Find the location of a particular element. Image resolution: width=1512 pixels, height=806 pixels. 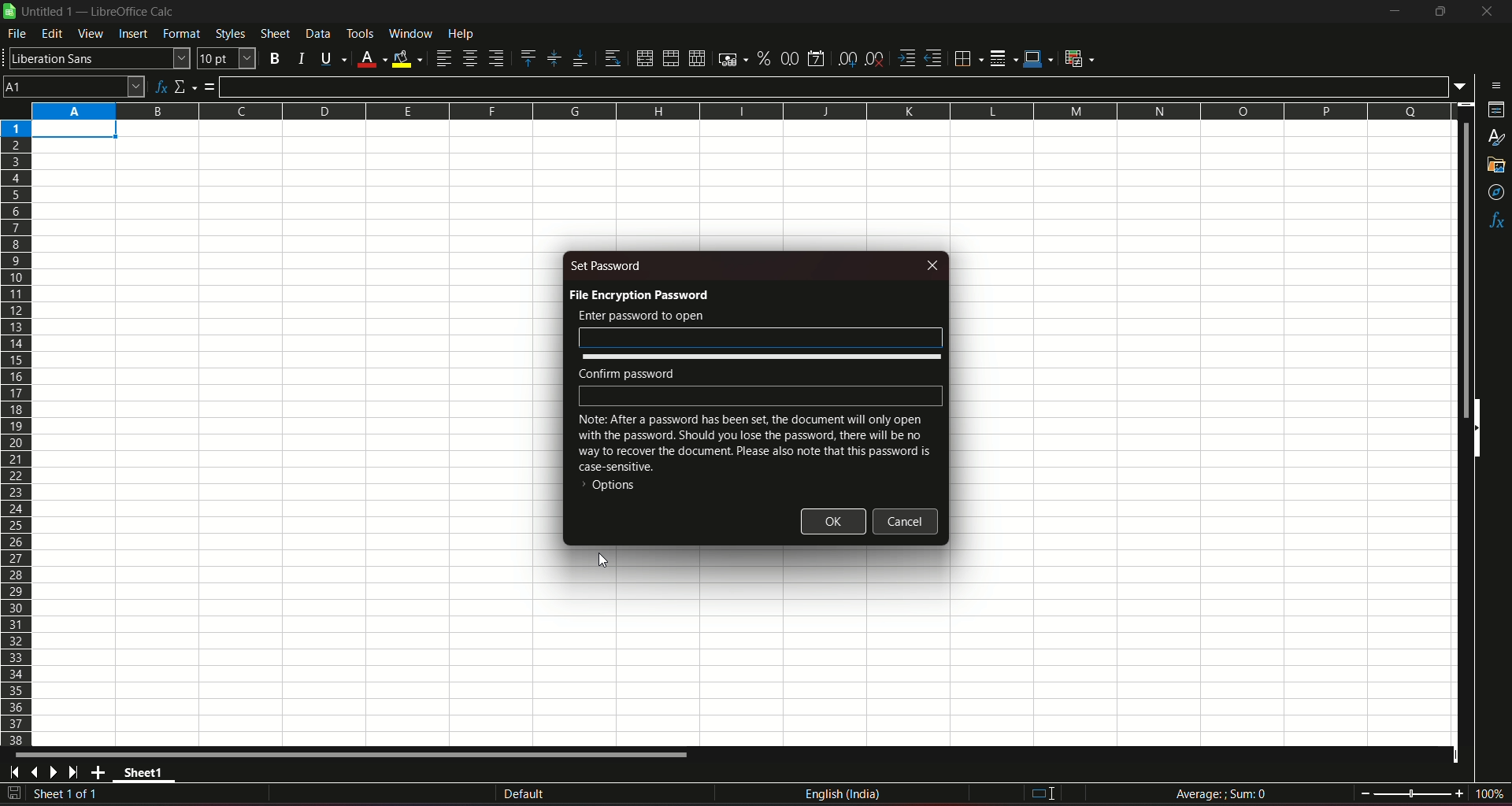

borders is located at coordinates (968, 59).